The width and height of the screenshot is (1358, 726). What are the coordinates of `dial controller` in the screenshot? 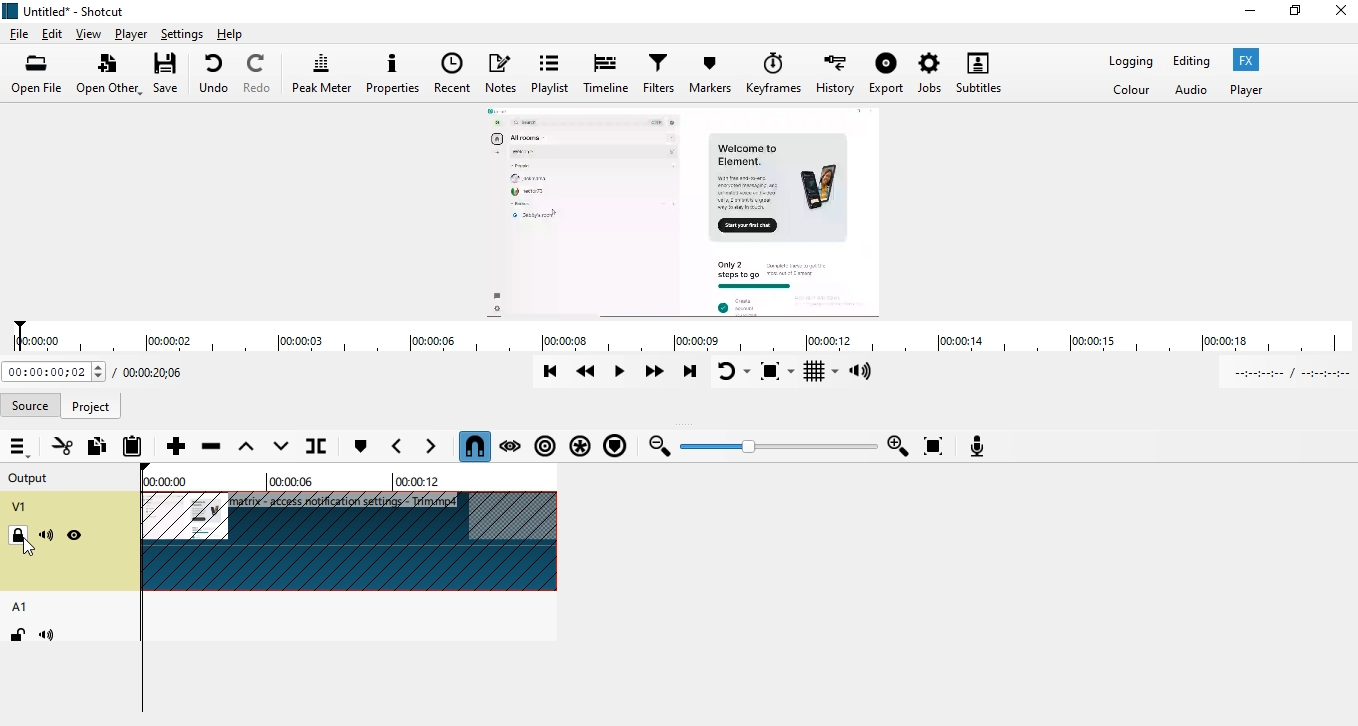 It's located at (782, 448).